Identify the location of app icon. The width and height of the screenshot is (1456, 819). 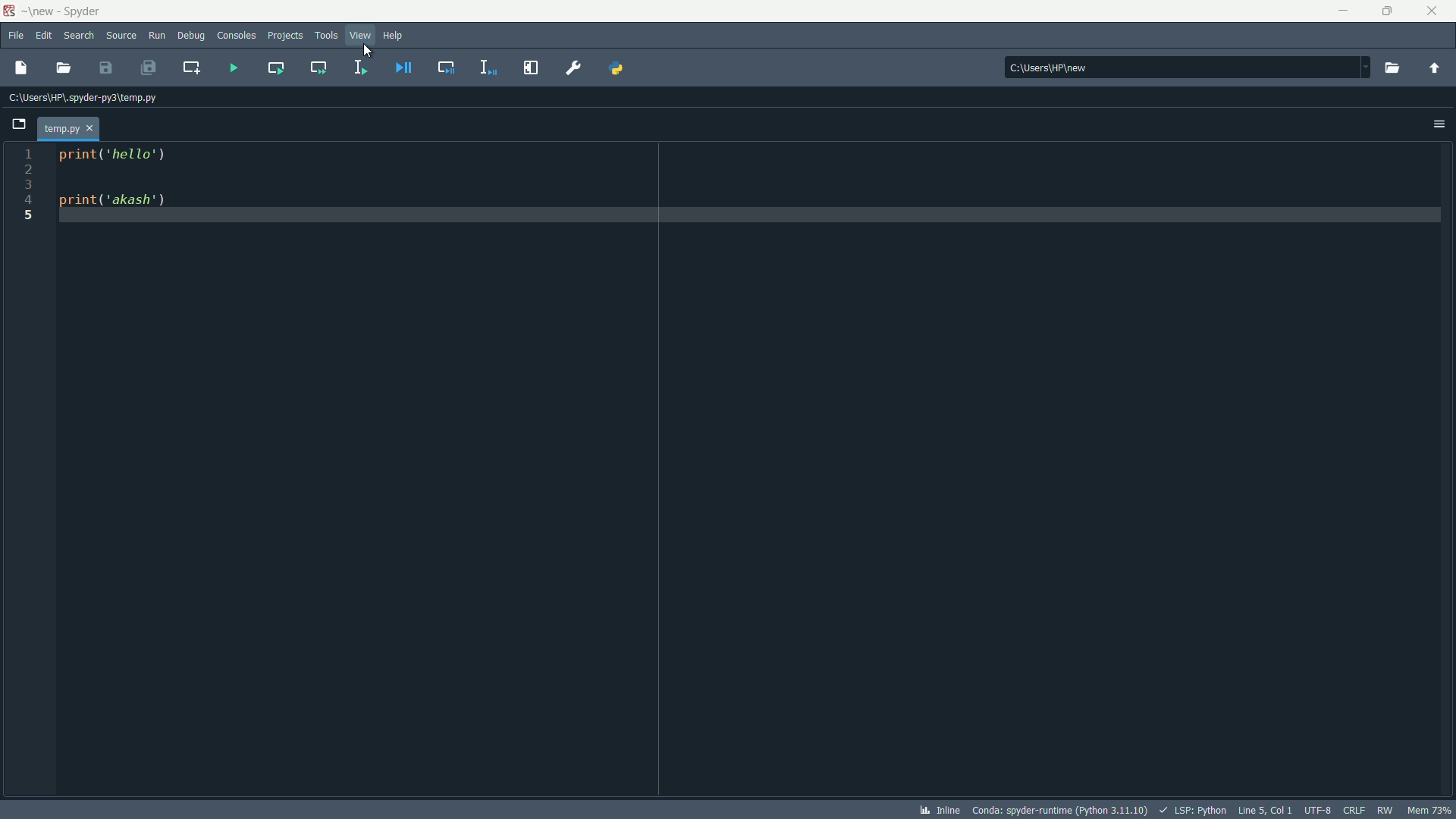
(11, 11).